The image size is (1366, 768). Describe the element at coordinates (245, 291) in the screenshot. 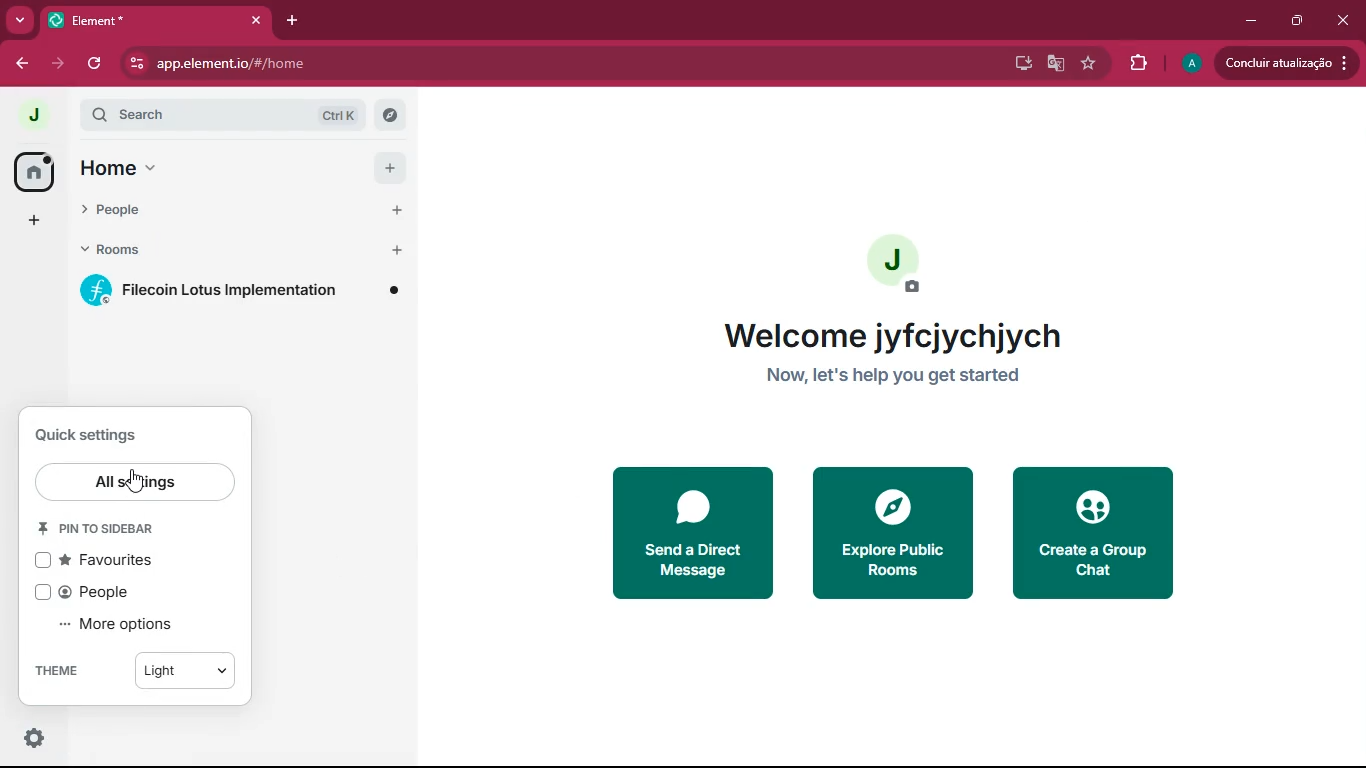

I see `filecoin lotus implementation` at that location.